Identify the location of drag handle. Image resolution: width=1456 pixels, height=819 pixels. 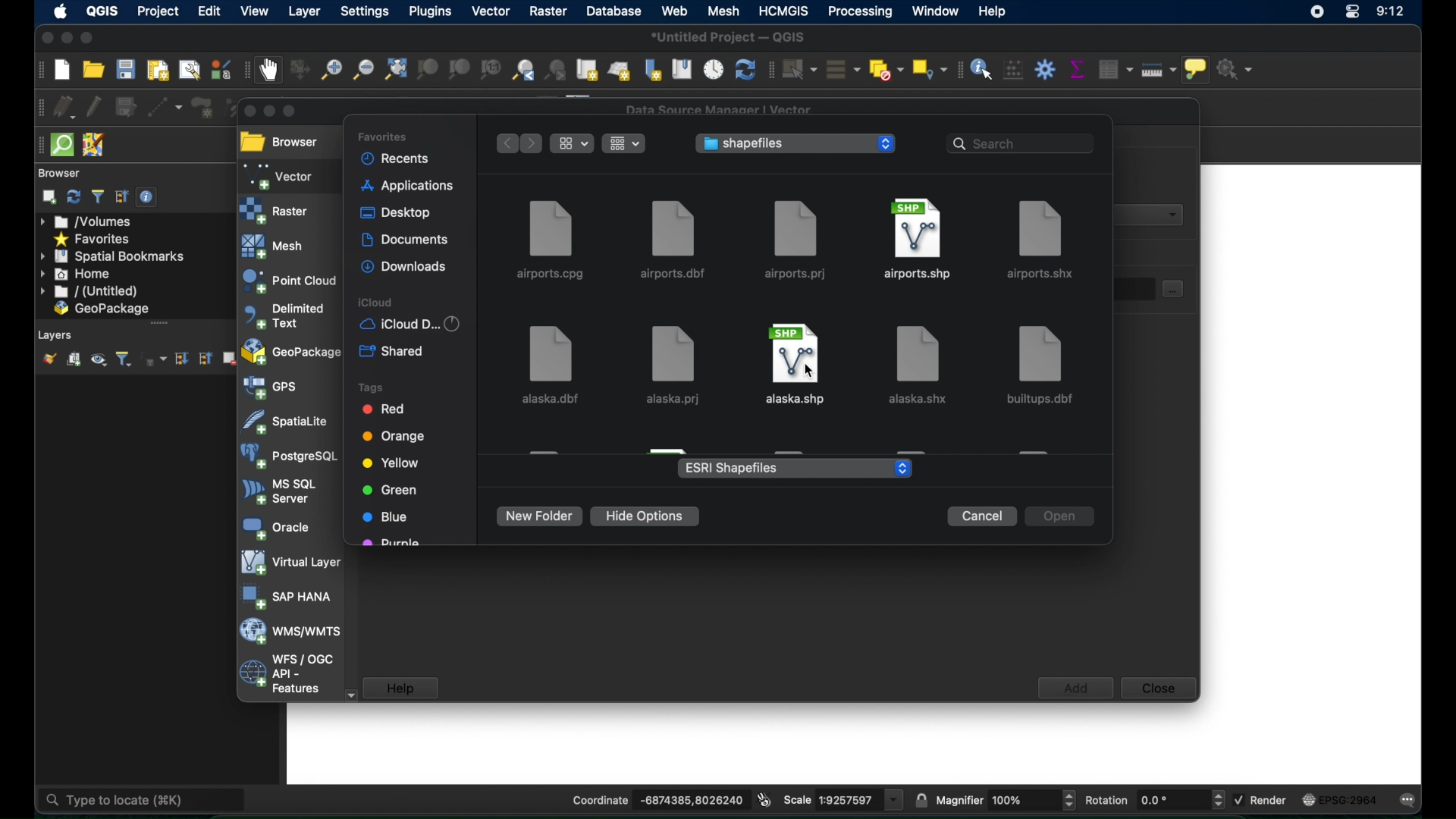
(36, 145).